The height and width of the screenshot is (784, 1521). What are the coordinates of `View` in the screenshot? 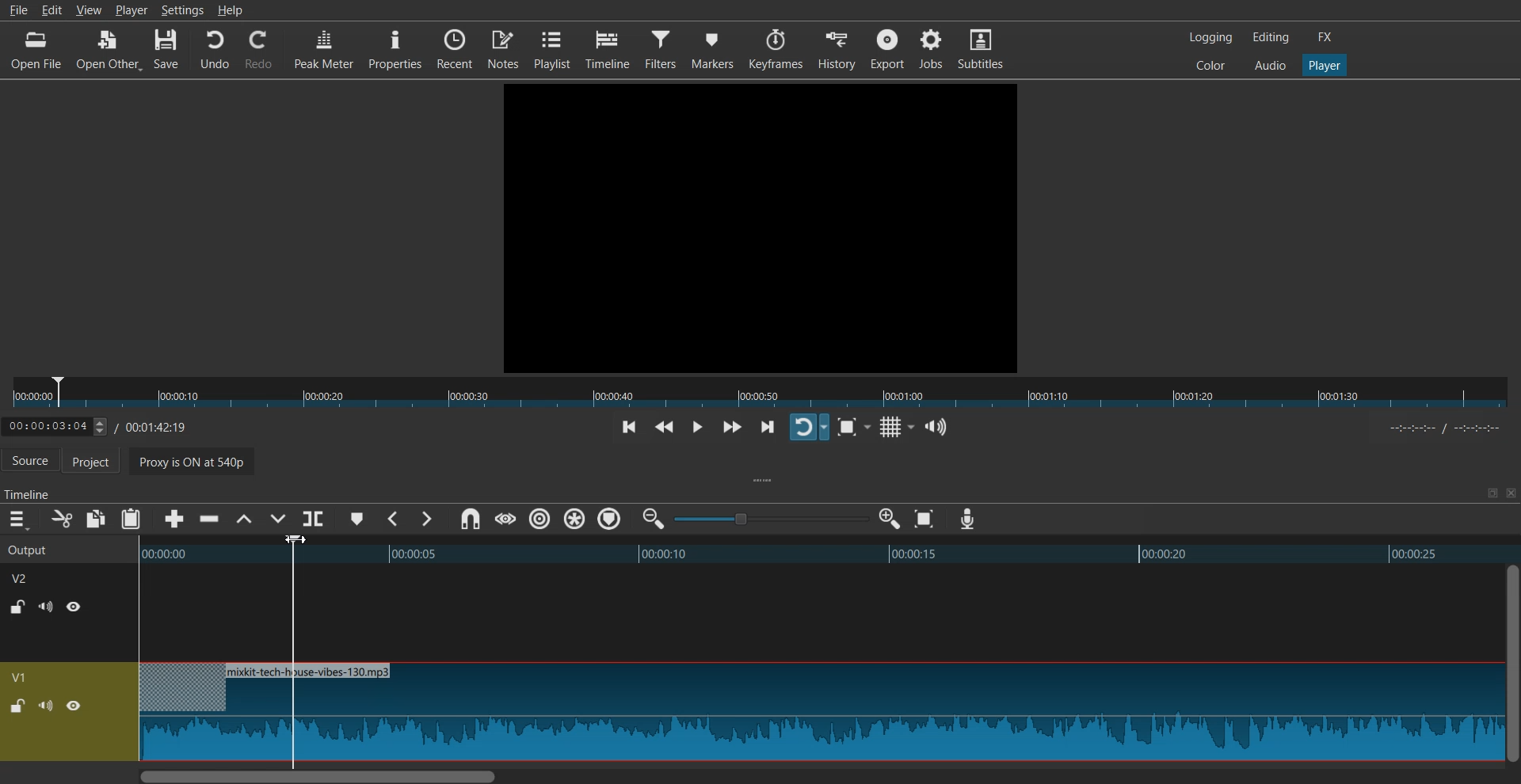 It's located at (90, 9).